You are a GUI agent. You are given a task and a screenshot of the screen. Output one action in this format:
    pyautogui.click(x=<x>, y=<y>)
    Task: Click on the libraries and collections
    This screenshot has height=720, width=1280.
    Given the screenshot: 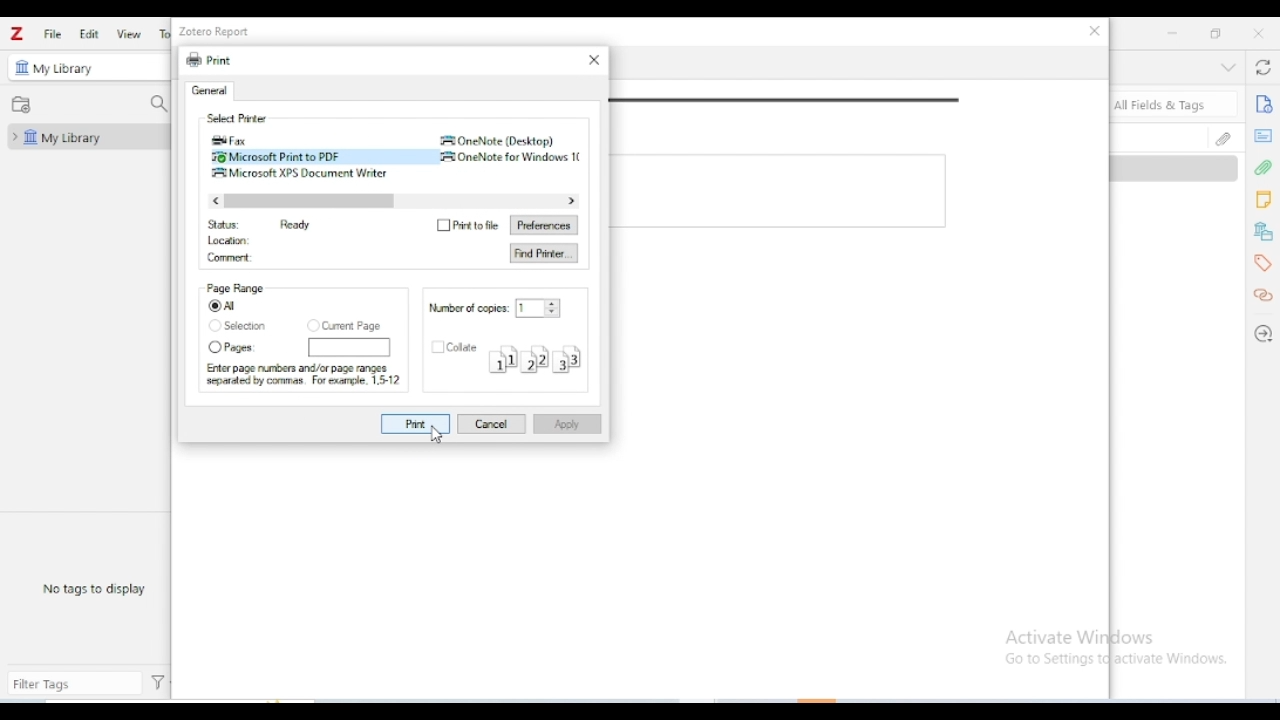 What is the action you would take?
    pyautogui.click(x=1264, y=232)
    